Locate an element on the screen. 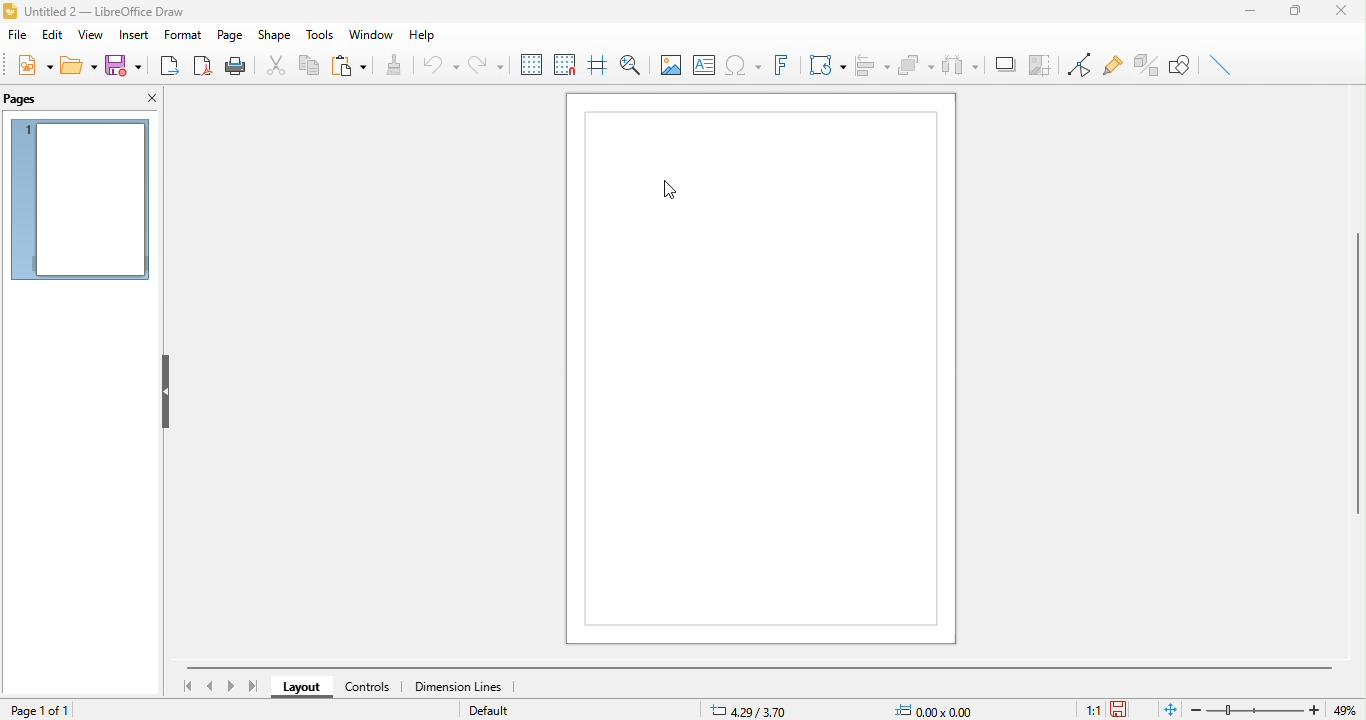  image is located at coordinates (667, 65).